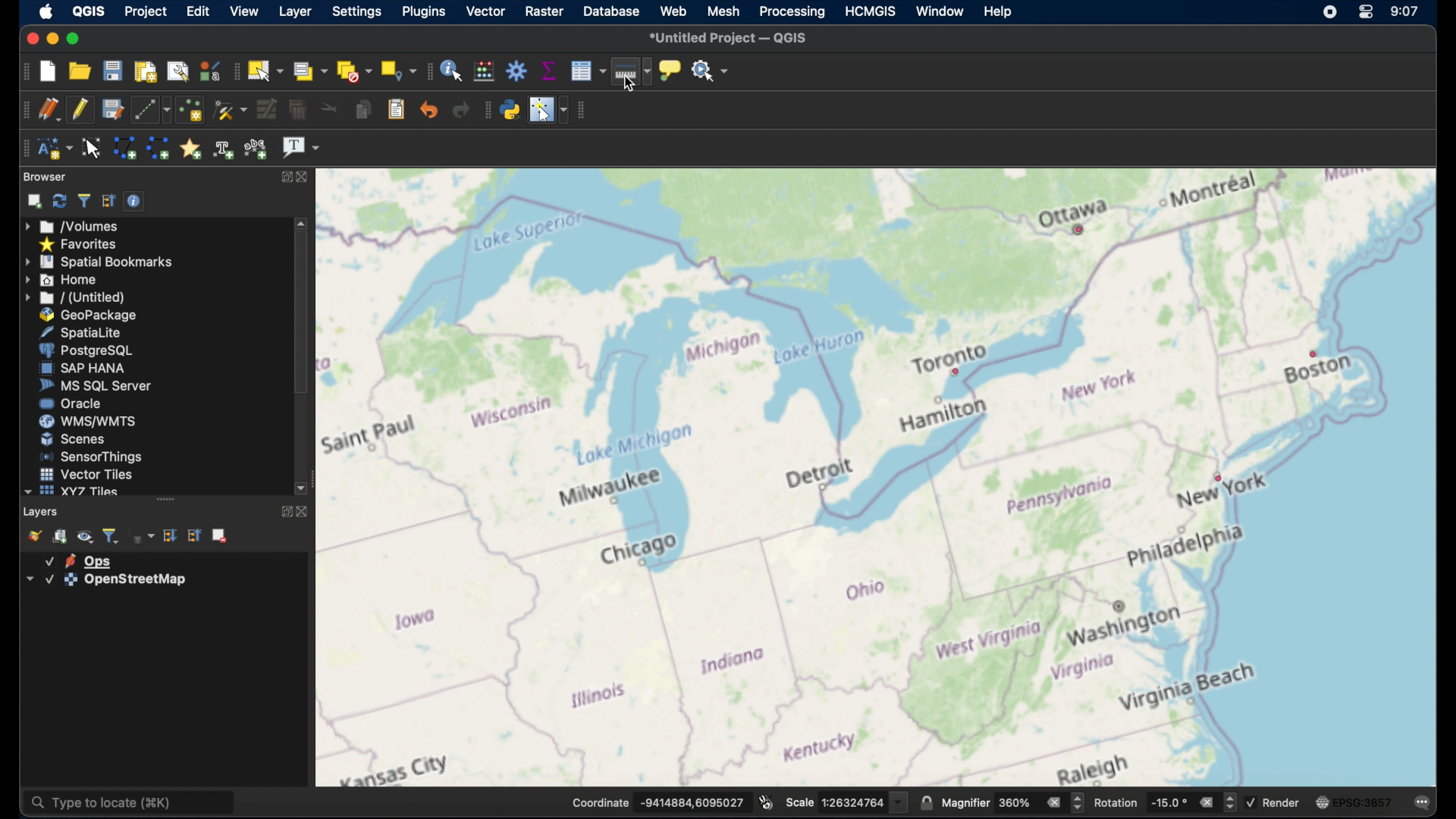 Image resolution: width=1456 pixels, height=819 pixels. What do you see at coordinates (58, 201) in the screenshot?
I see `refresh` at bounding box center [58, 201].